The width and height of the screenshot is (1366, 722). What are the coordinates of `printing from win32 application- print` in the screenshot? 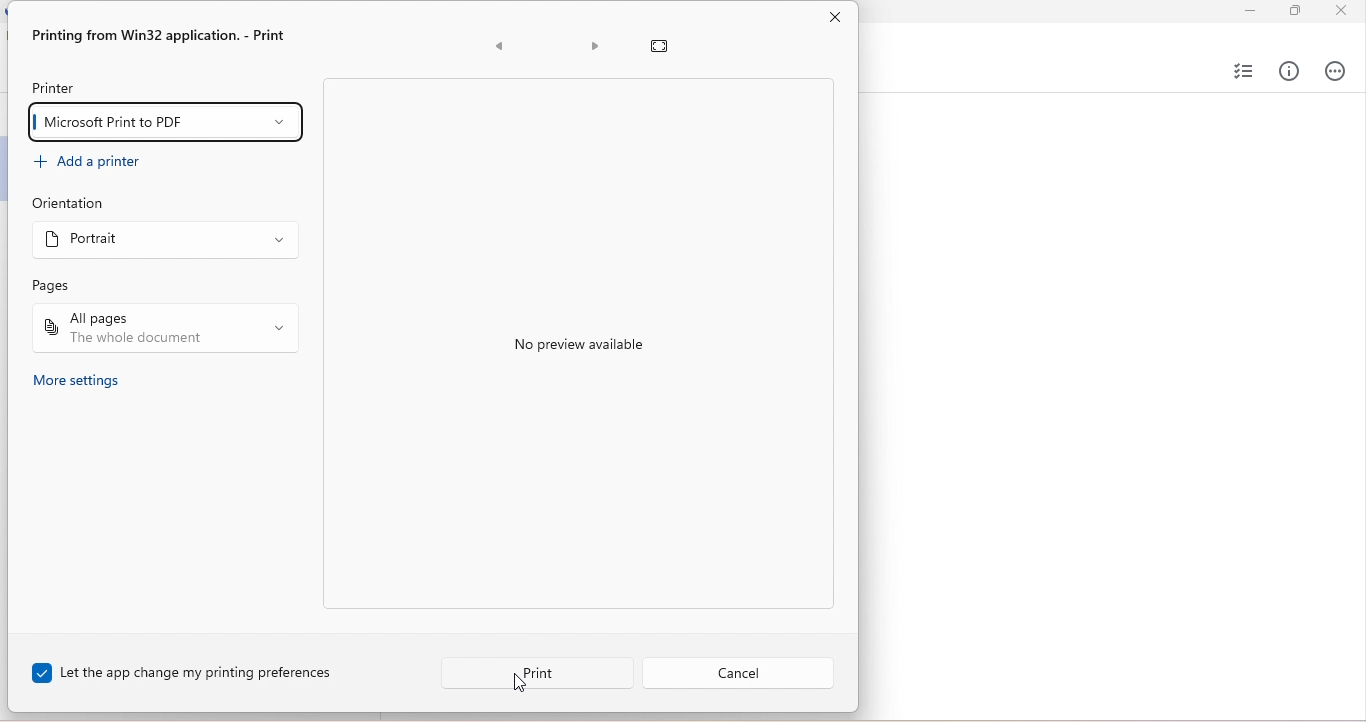 It's located at (161, 39).